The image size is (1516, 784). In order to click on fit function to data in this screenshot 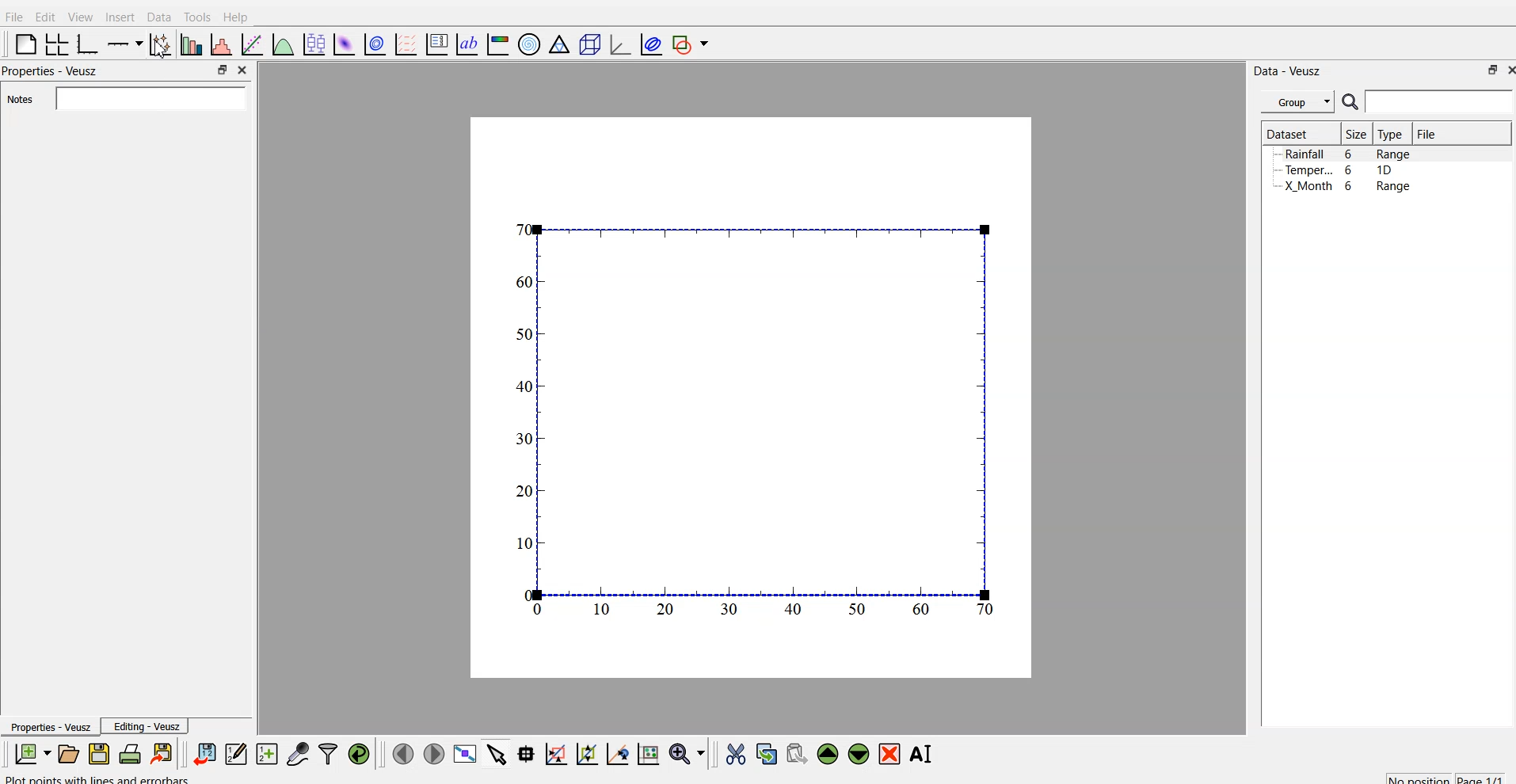, I will do `click(252, 45)`.